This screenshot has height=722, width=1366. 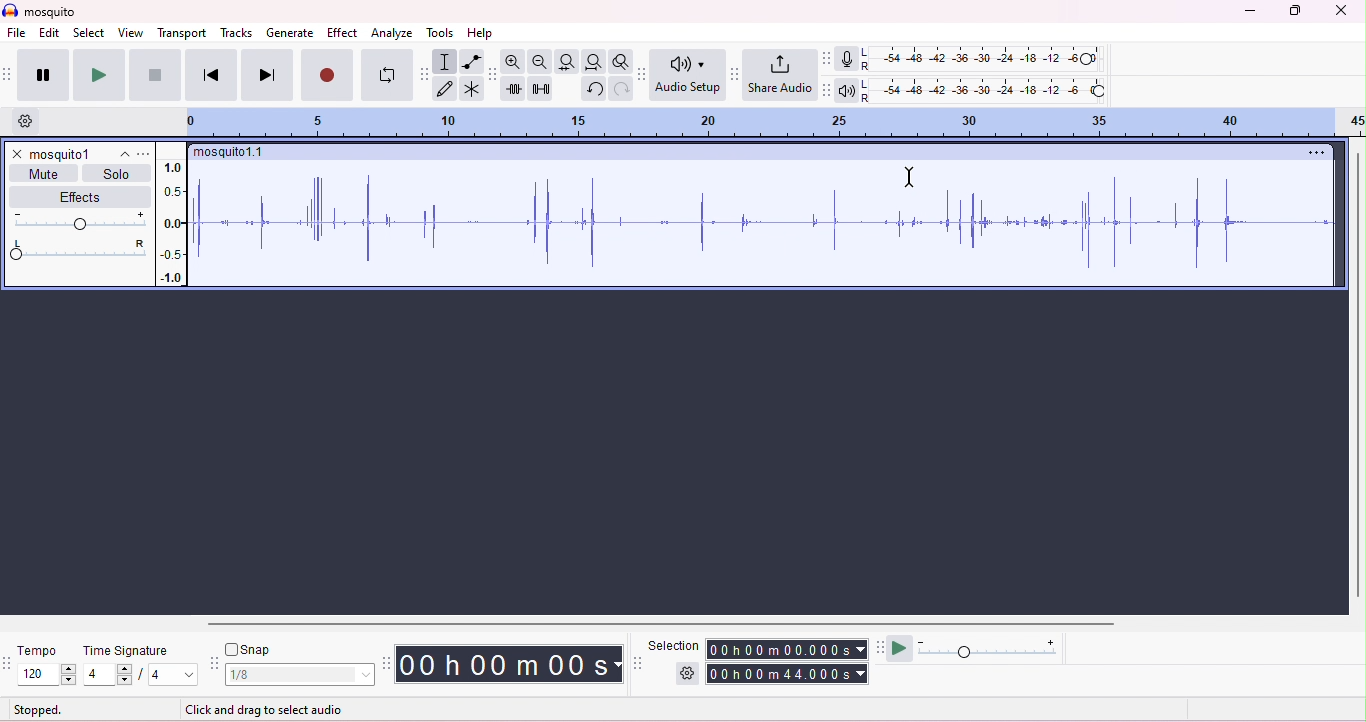 I want to click on stopped, so click(x=38, y=711).